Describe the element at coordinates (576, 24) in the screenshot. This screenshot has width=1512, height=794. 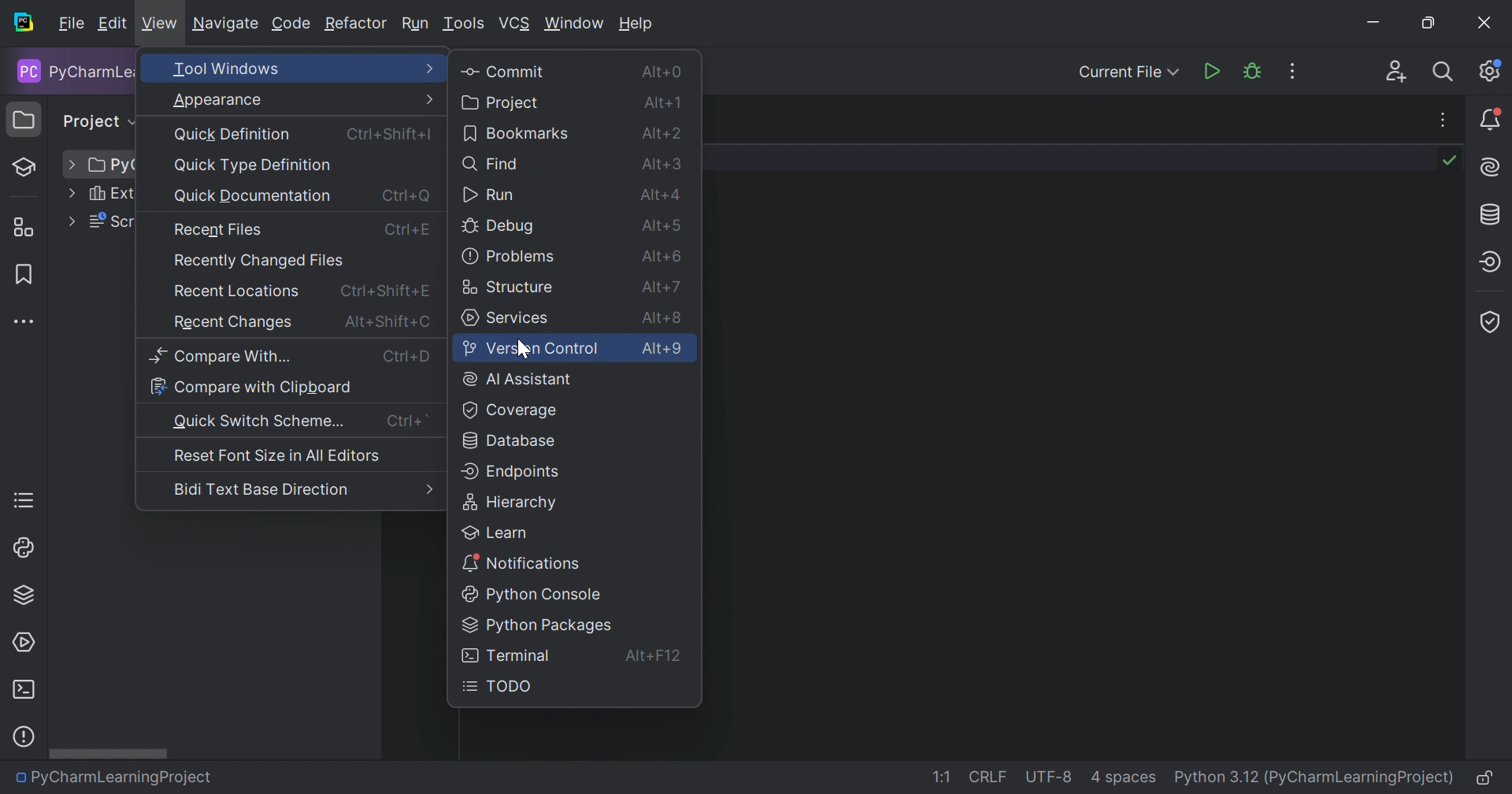
I see `Window` at that location.